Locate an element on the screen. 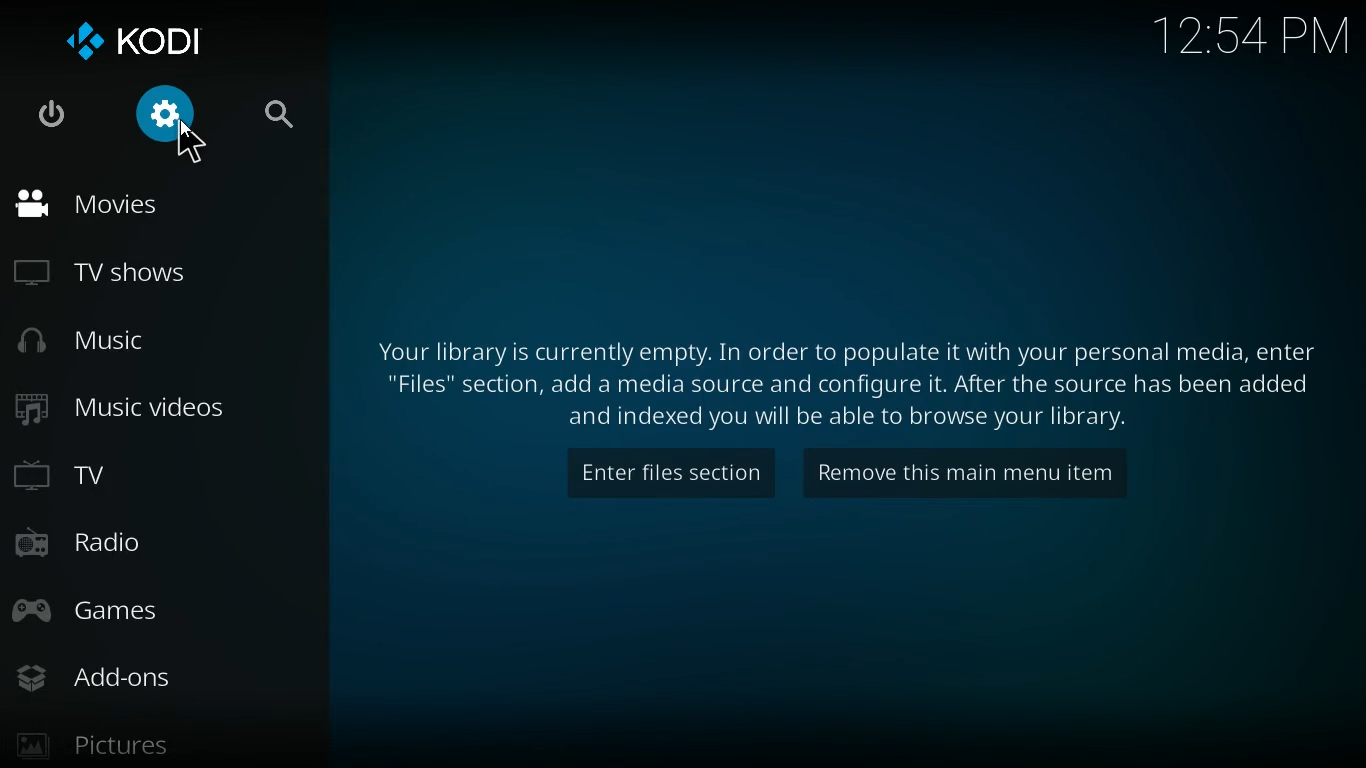  cursor is located at coordinates (189, 143).